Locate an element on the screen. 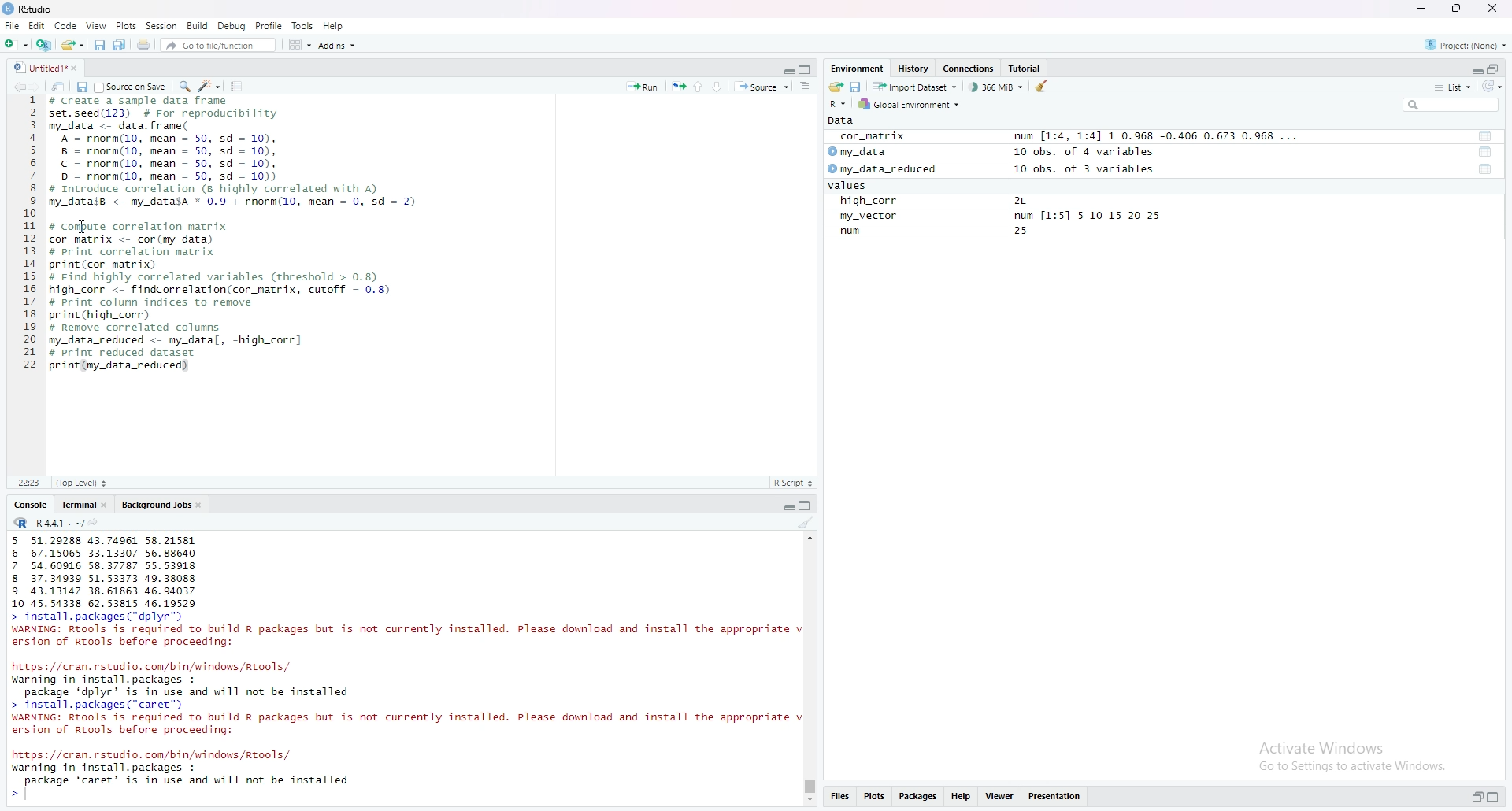 The height and width of the screenshot is (811, 1512). search is located at coordinates (186, 87).